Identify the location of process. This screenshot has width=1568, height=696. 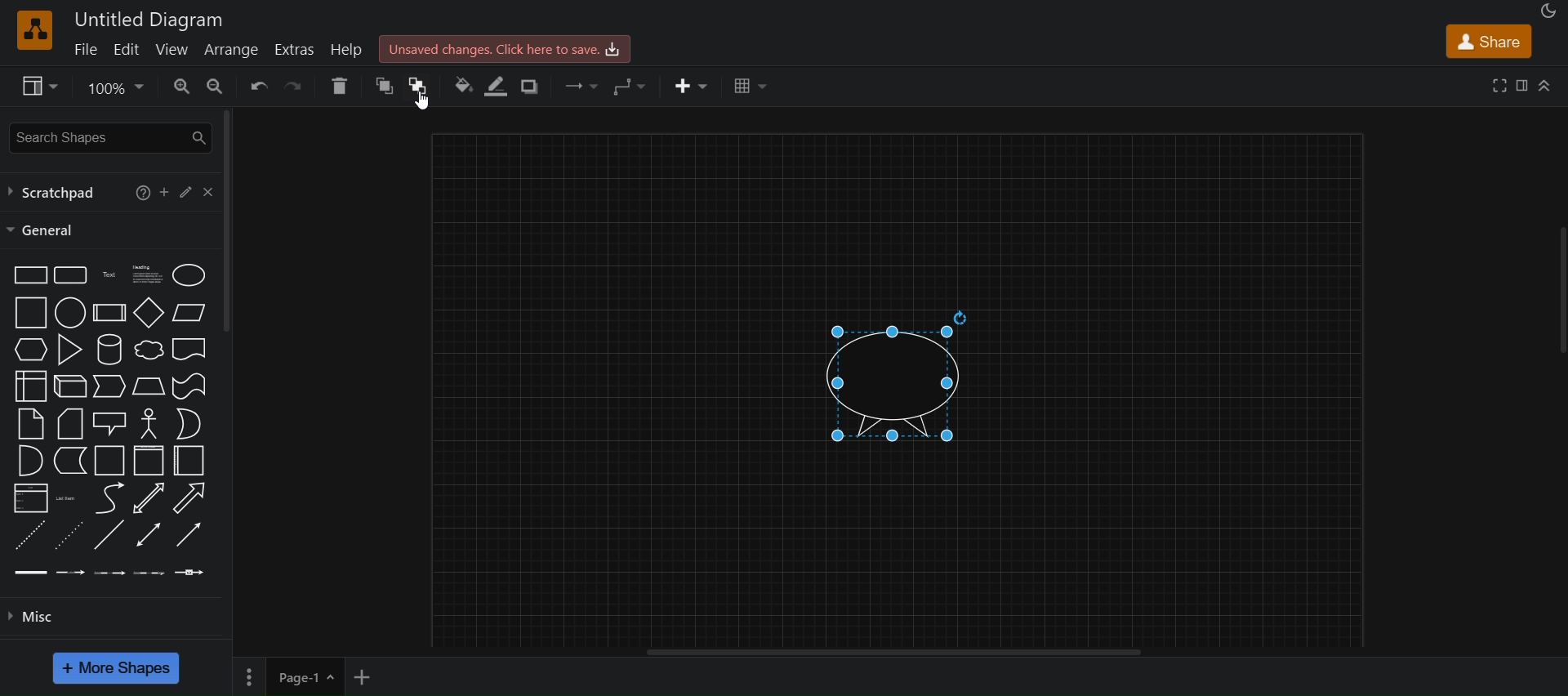
(109, 313).